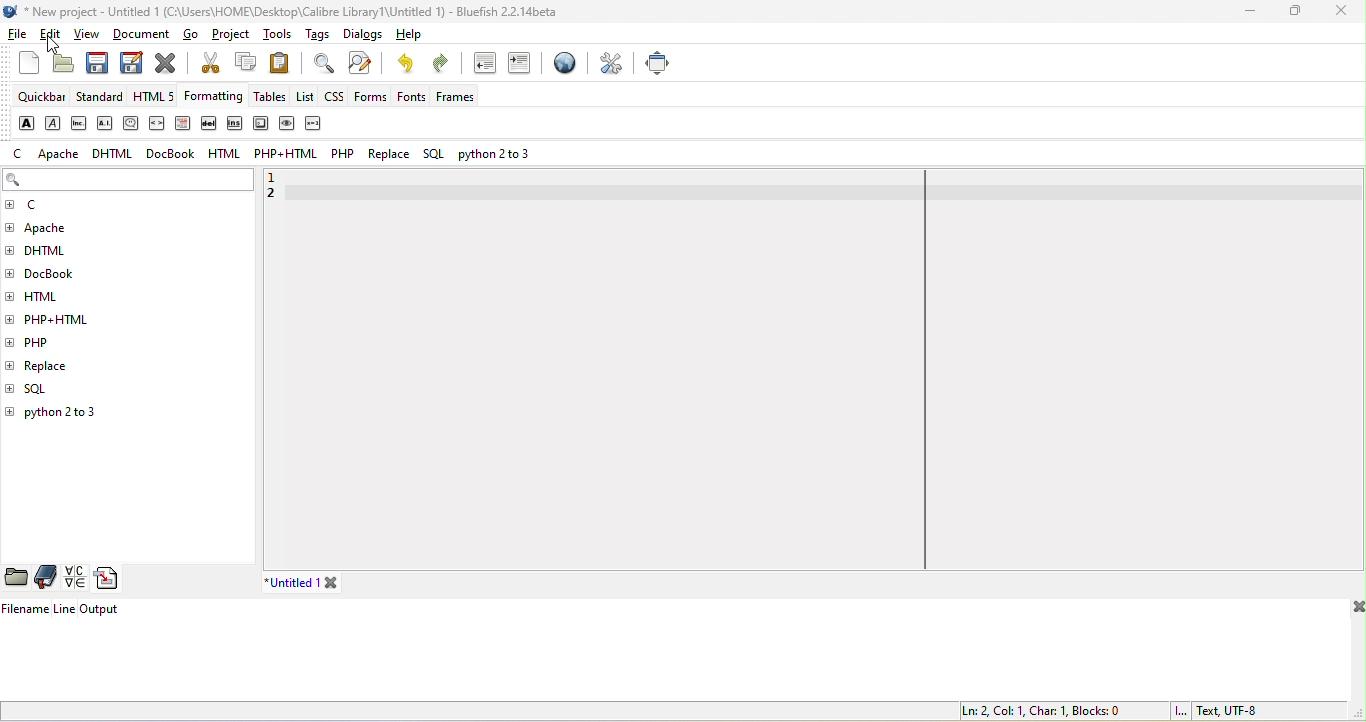 The height and width of the screenshot is (722, 1366). Describe the element at coordinates (182, 124) in the screenshot. I see `definition` at that location.